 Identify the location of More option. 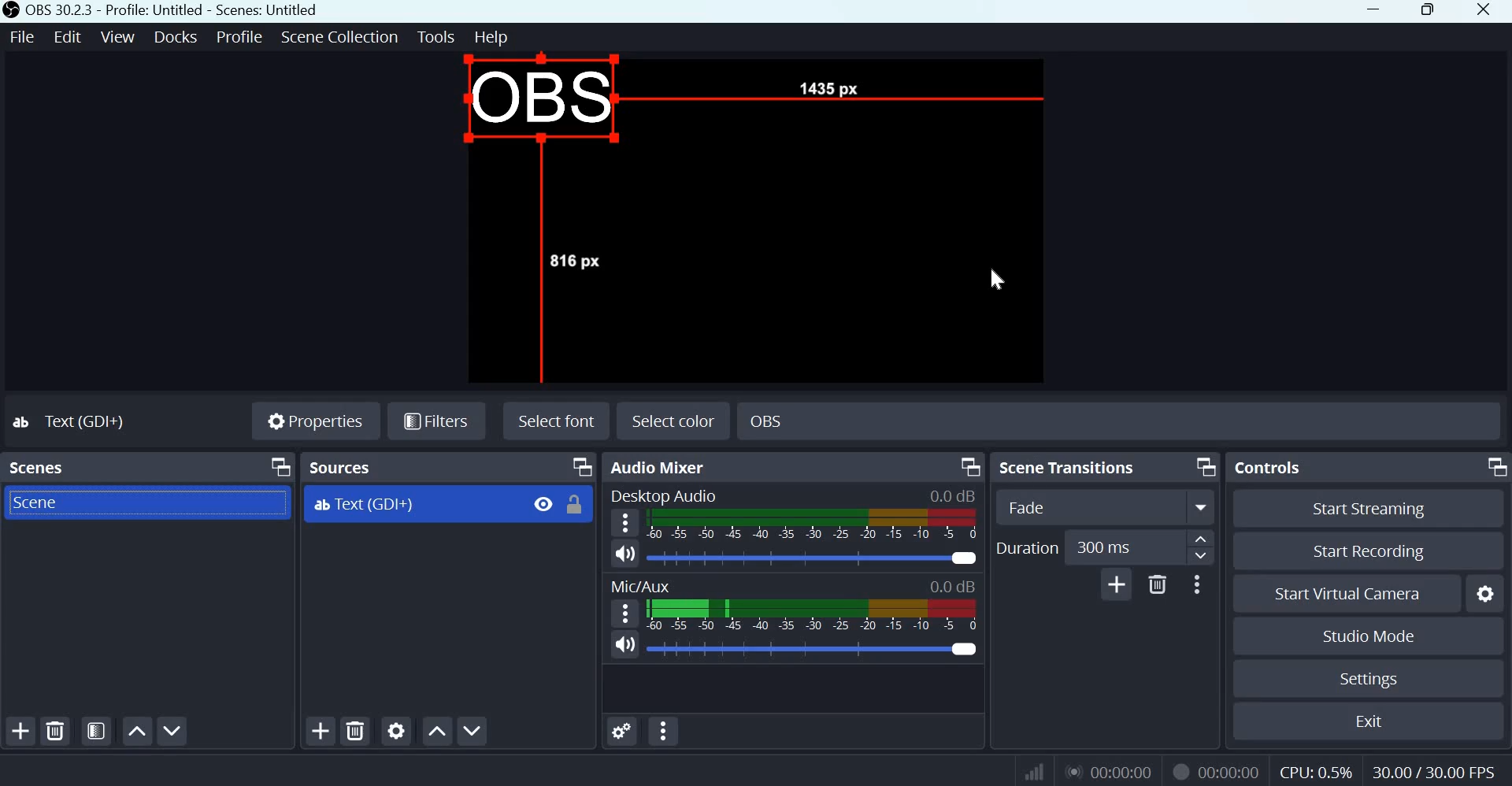
(1202, 507).